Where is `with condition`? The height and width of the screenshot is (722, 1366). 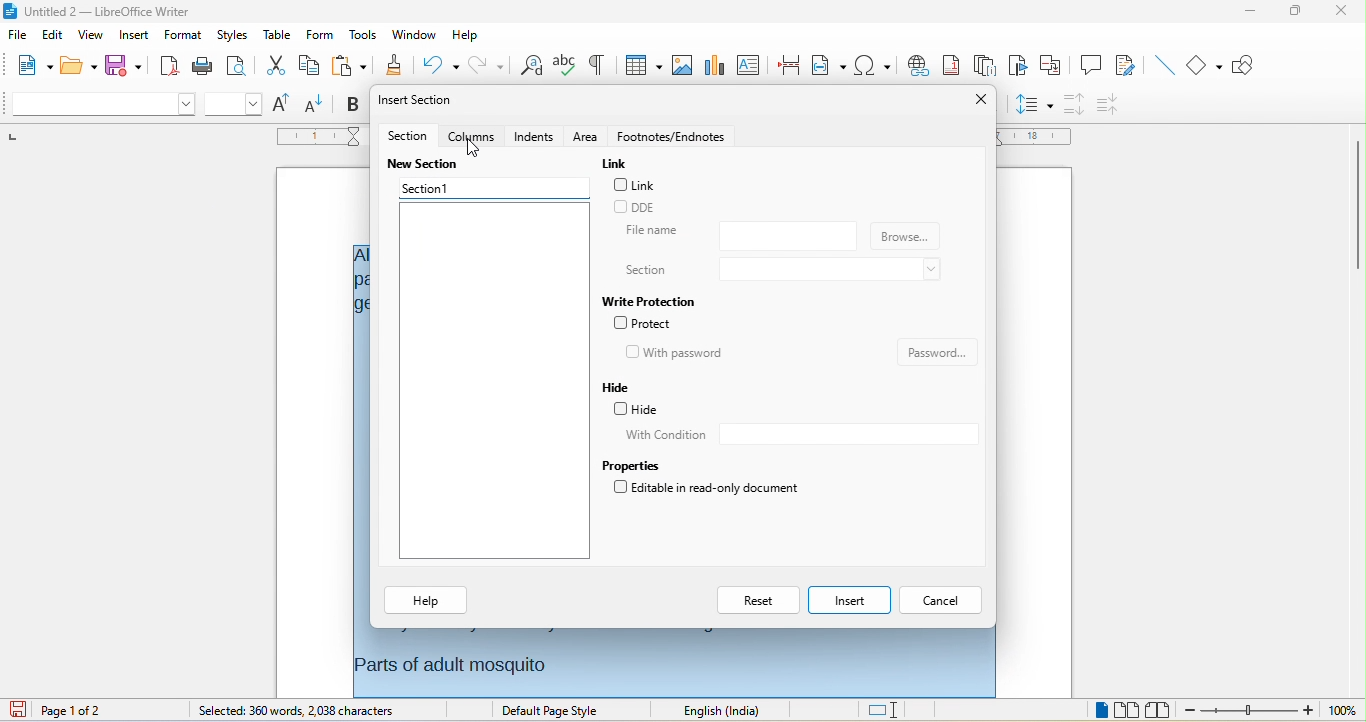 with condition is located at coordinates (849, 435).